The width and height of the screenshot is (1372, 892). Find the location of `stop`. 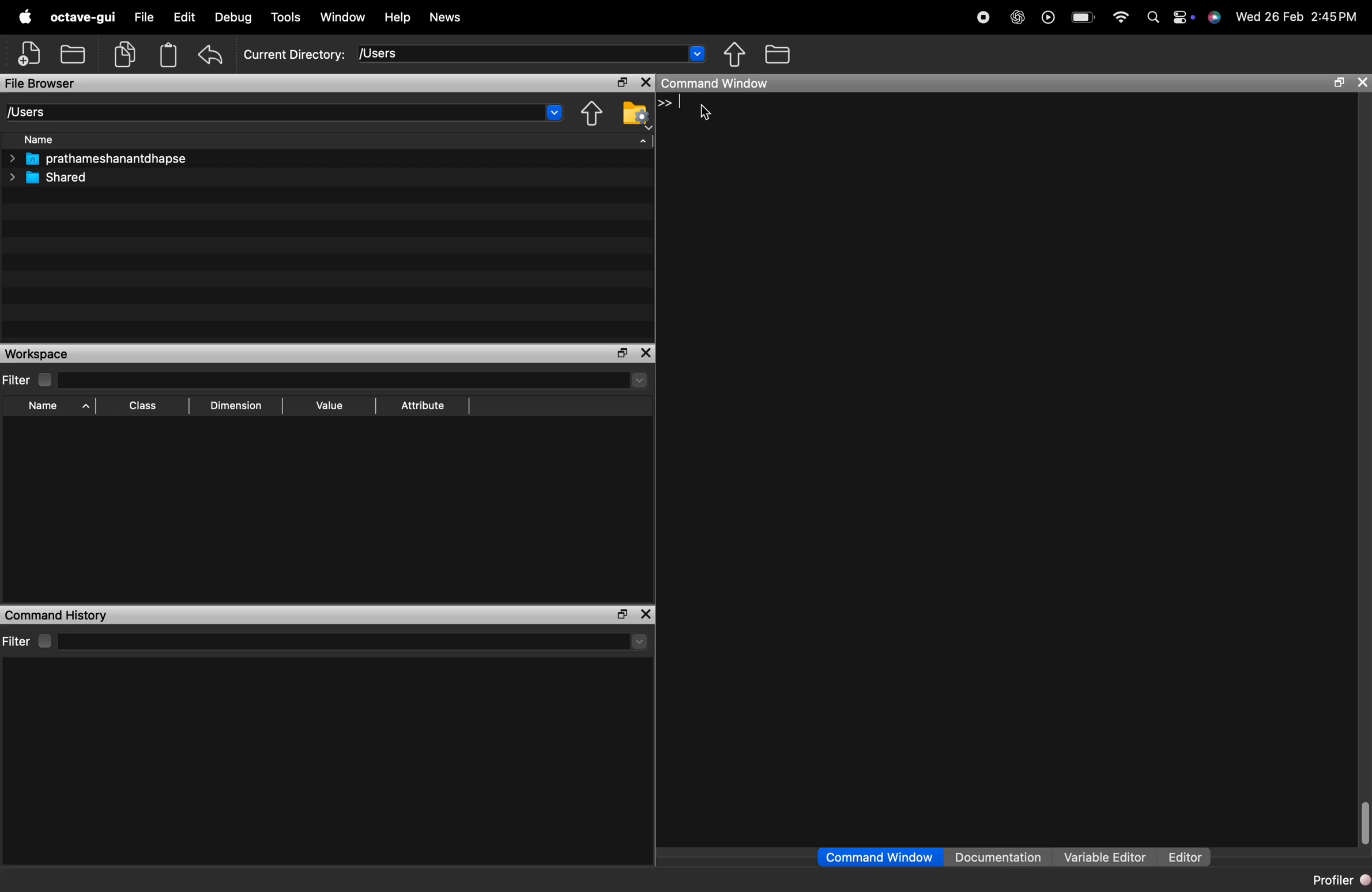

stop is located at coordinates (983, 14).